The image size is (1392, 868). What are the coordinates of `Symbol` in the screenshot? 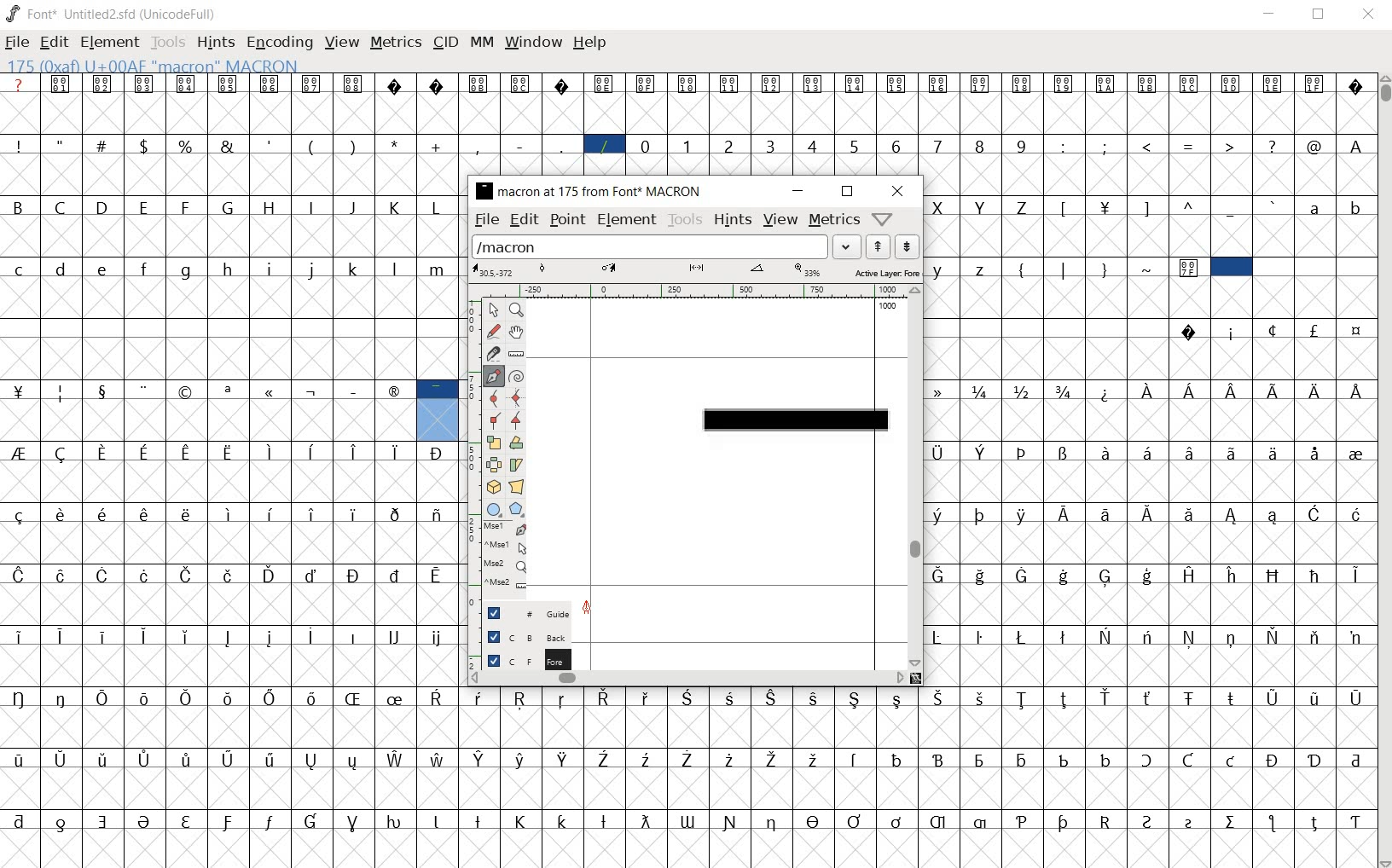 It's located at (855, 700).